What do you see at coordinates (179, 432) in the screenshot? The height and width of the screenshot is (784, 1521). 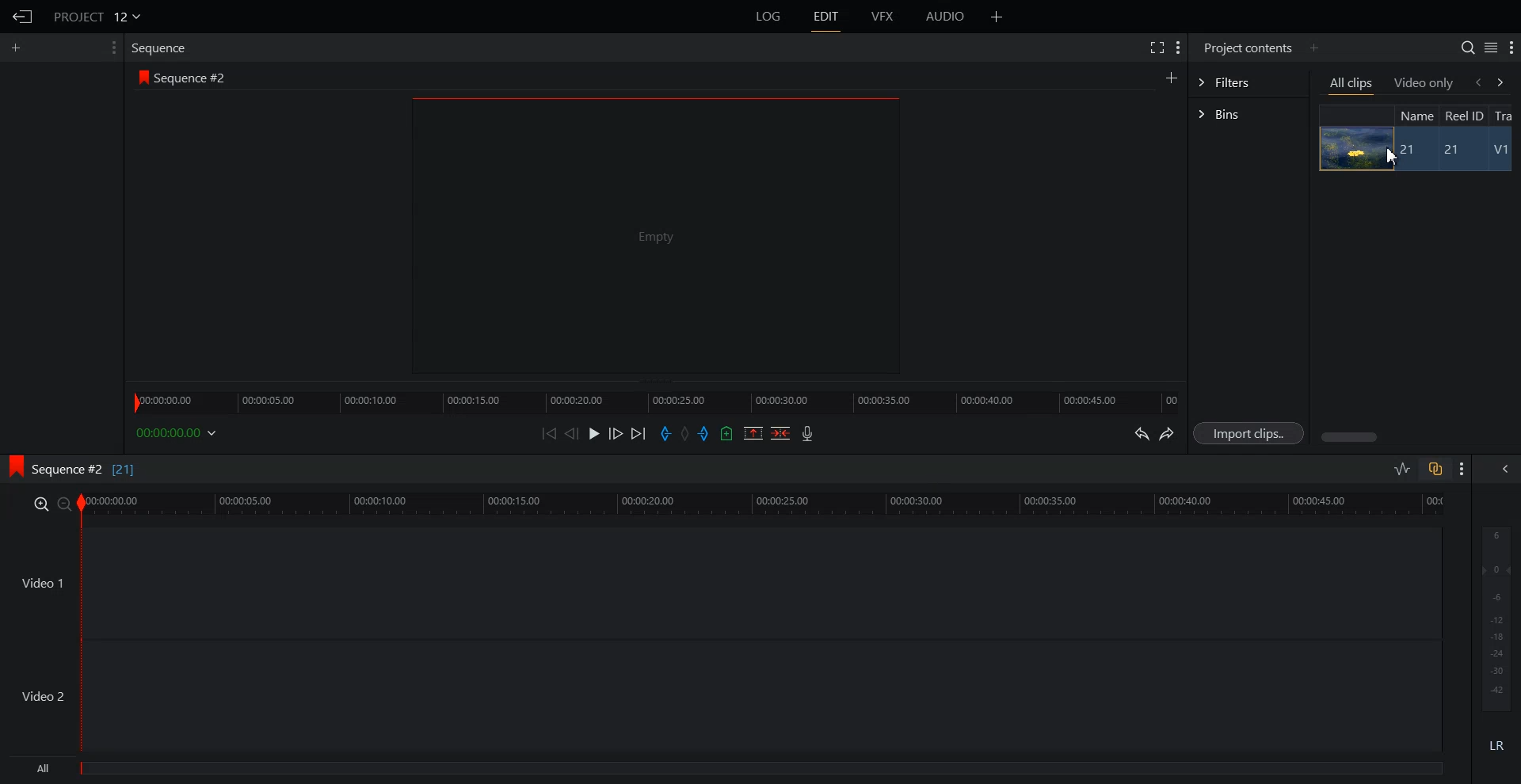 I see `00:00:00.00` at bounding box center [179, 432].